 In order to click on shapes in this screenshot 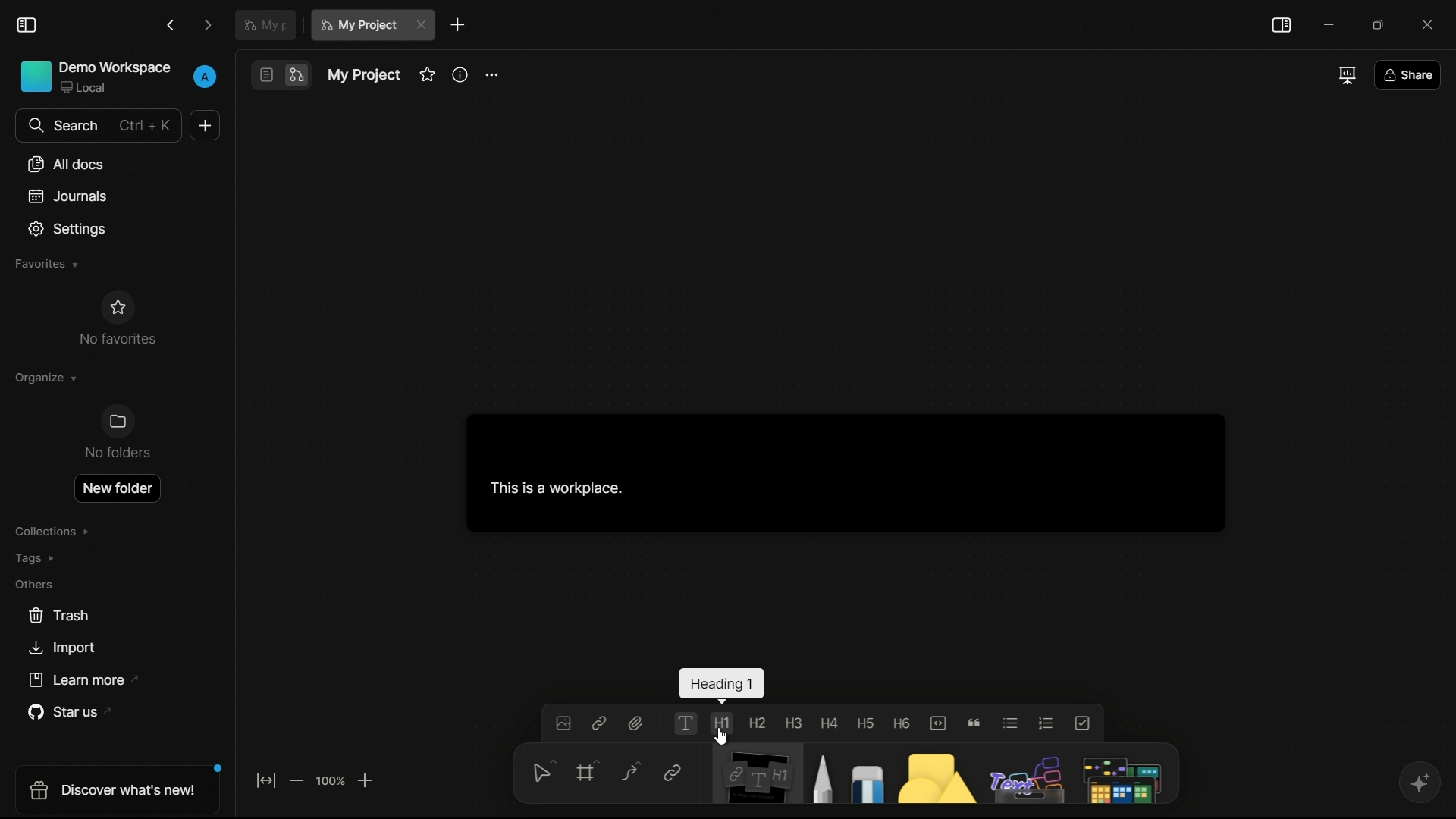, I will do `click(931, 773)`.